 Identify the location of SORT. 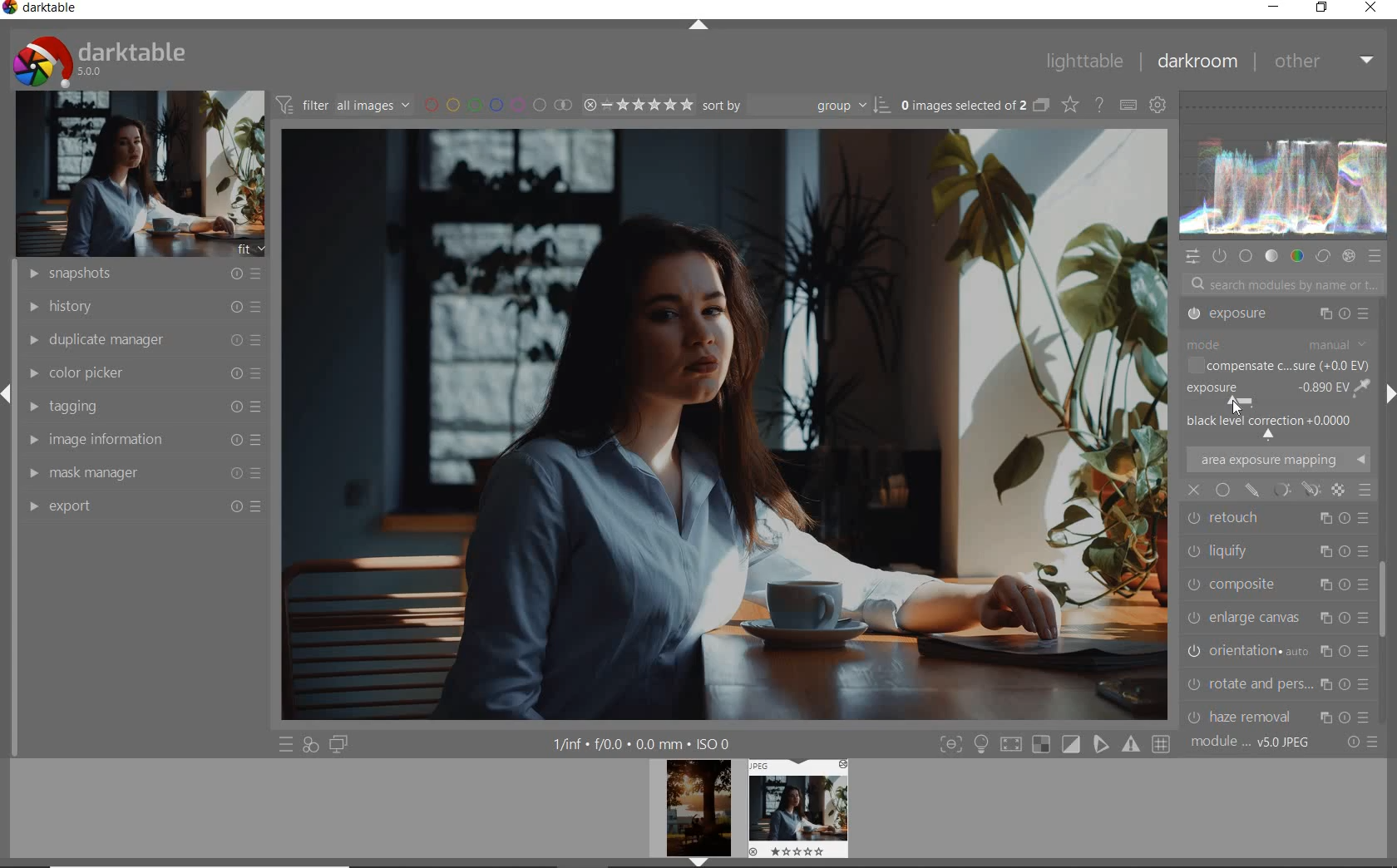
(793, 106).